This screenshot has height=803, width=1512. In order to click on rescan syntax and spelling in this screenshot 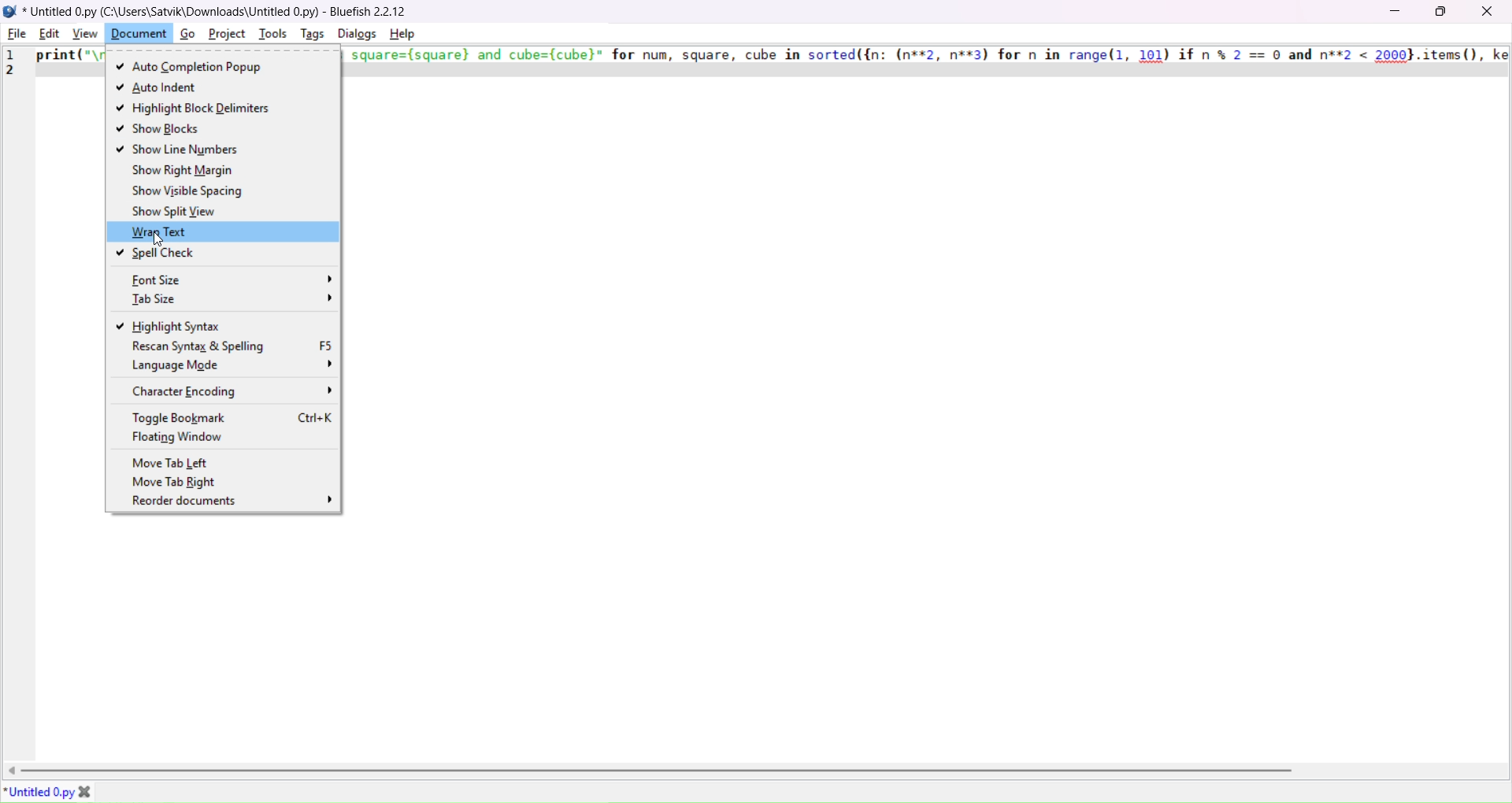, I will do `click(233, 346)`.